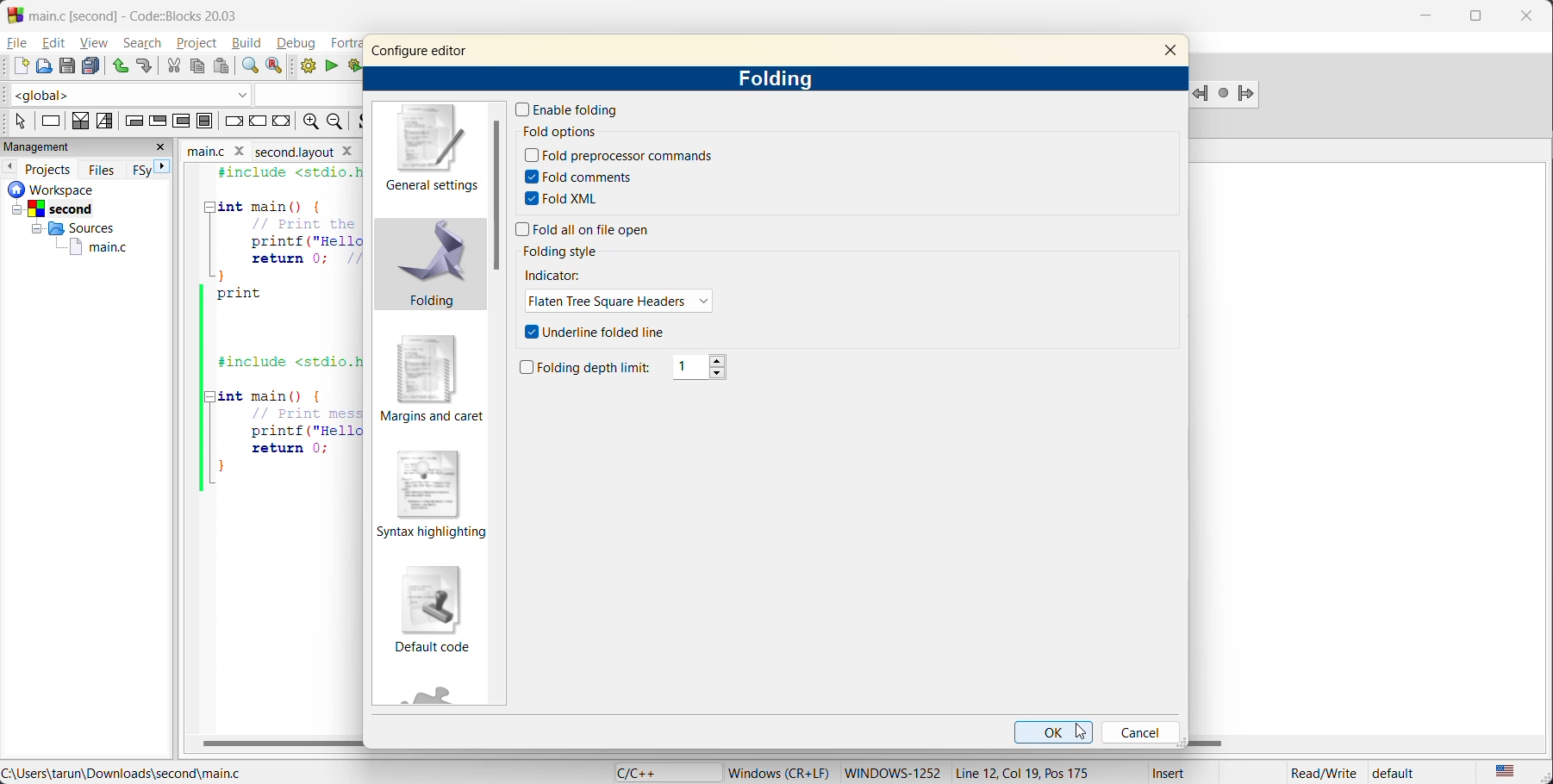 The height and width of the screenshot is (784, 1553). What do you see at coordinates (623, 302) in the screenshot?
I see `flaten tree square headers` at bounding box center [623, 302].